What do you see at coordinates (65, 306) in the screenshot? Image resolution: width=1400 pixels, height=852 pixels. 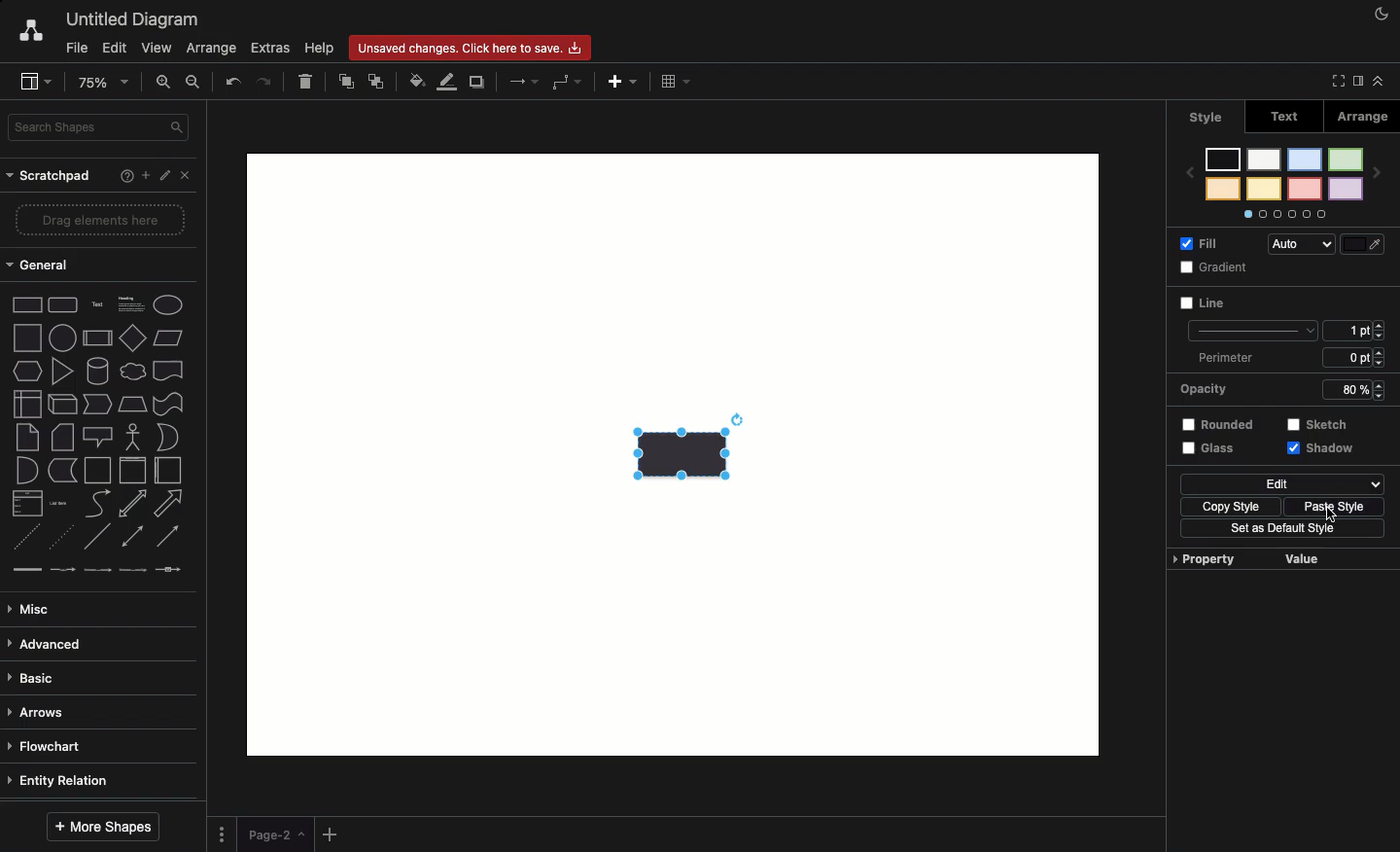 I see `Rounded rectangle` at bounding box center [65, 306].